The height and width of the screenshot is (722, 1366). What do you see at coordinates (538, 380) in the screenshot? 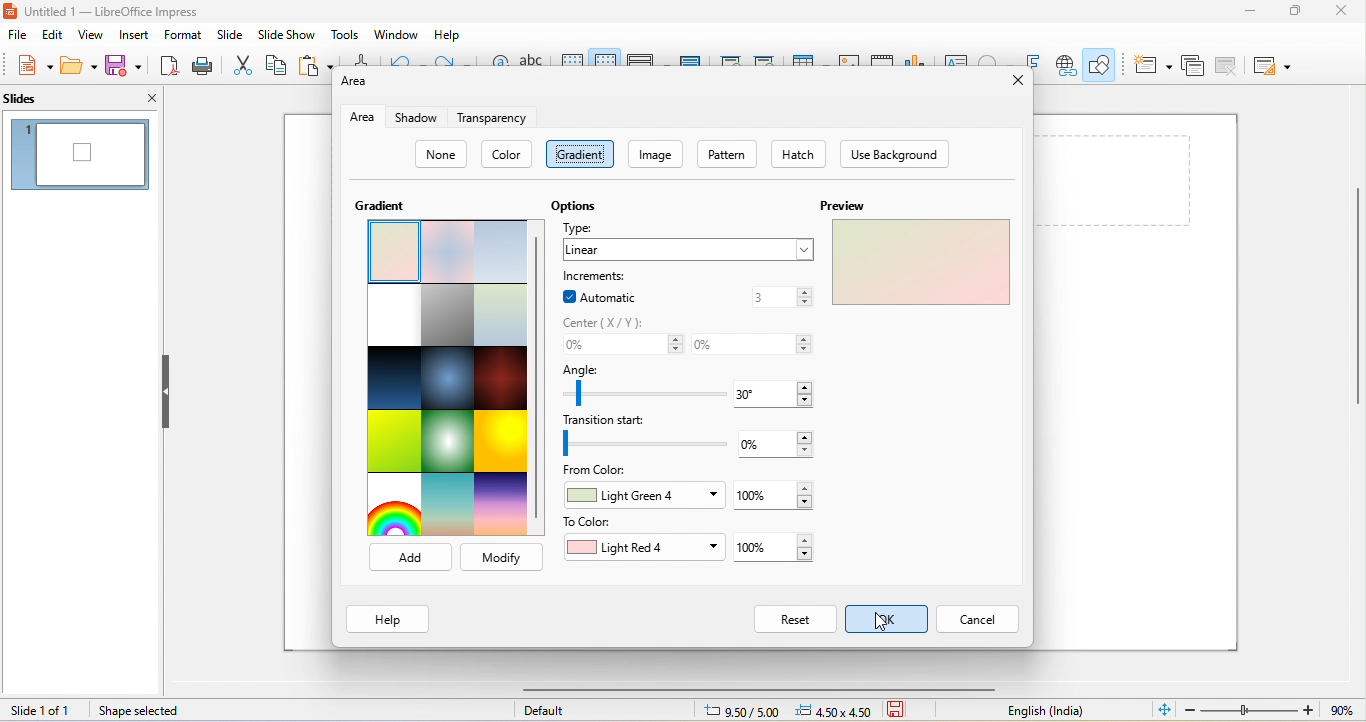
I see `vertical scroll bar` at bounding box center [538, 380].